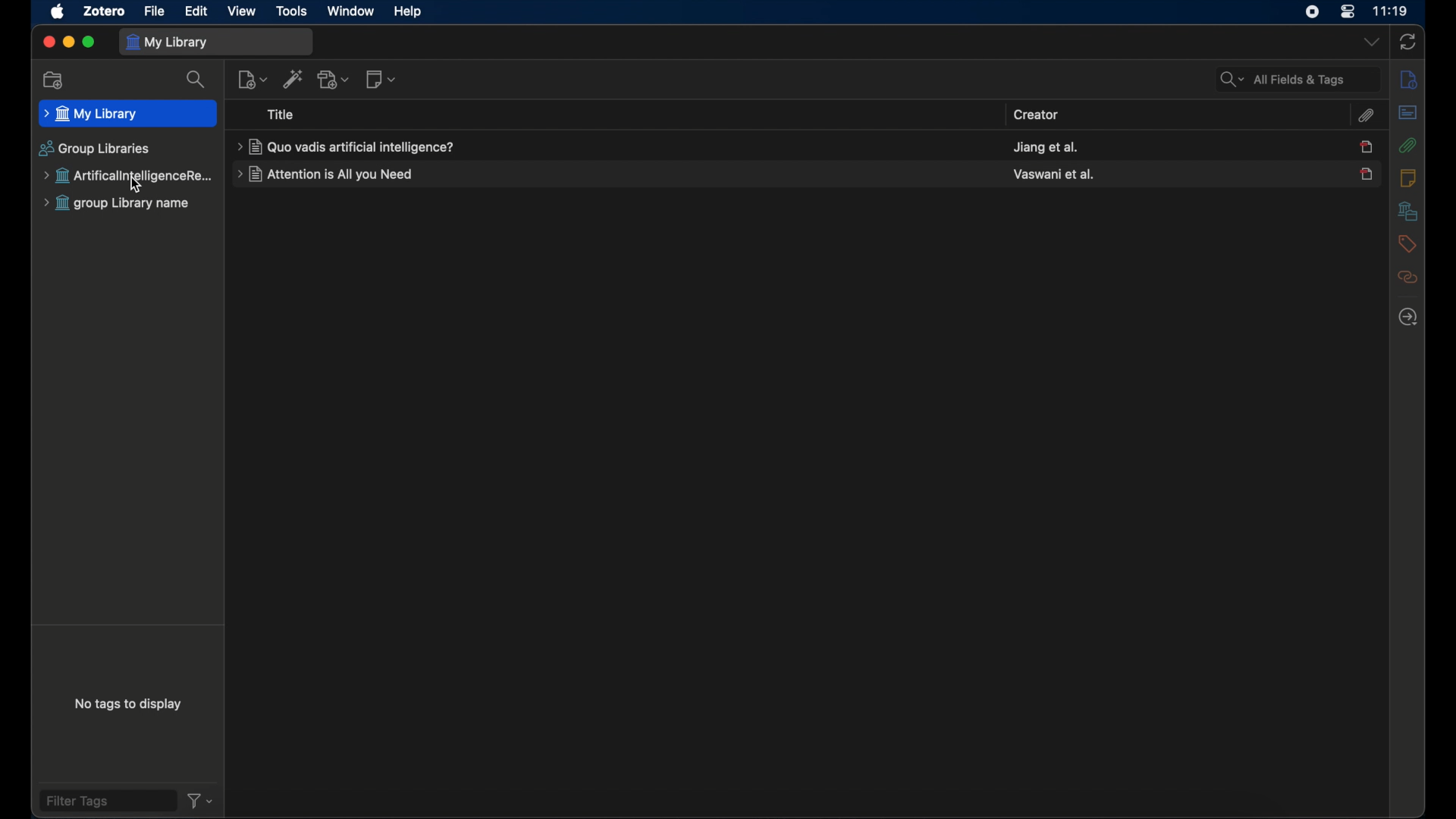 The width and height of the screenshot is (1456, 819). Describe the element at coordinates (1408, 145) in the screenshot. I see `attachments` at that location.